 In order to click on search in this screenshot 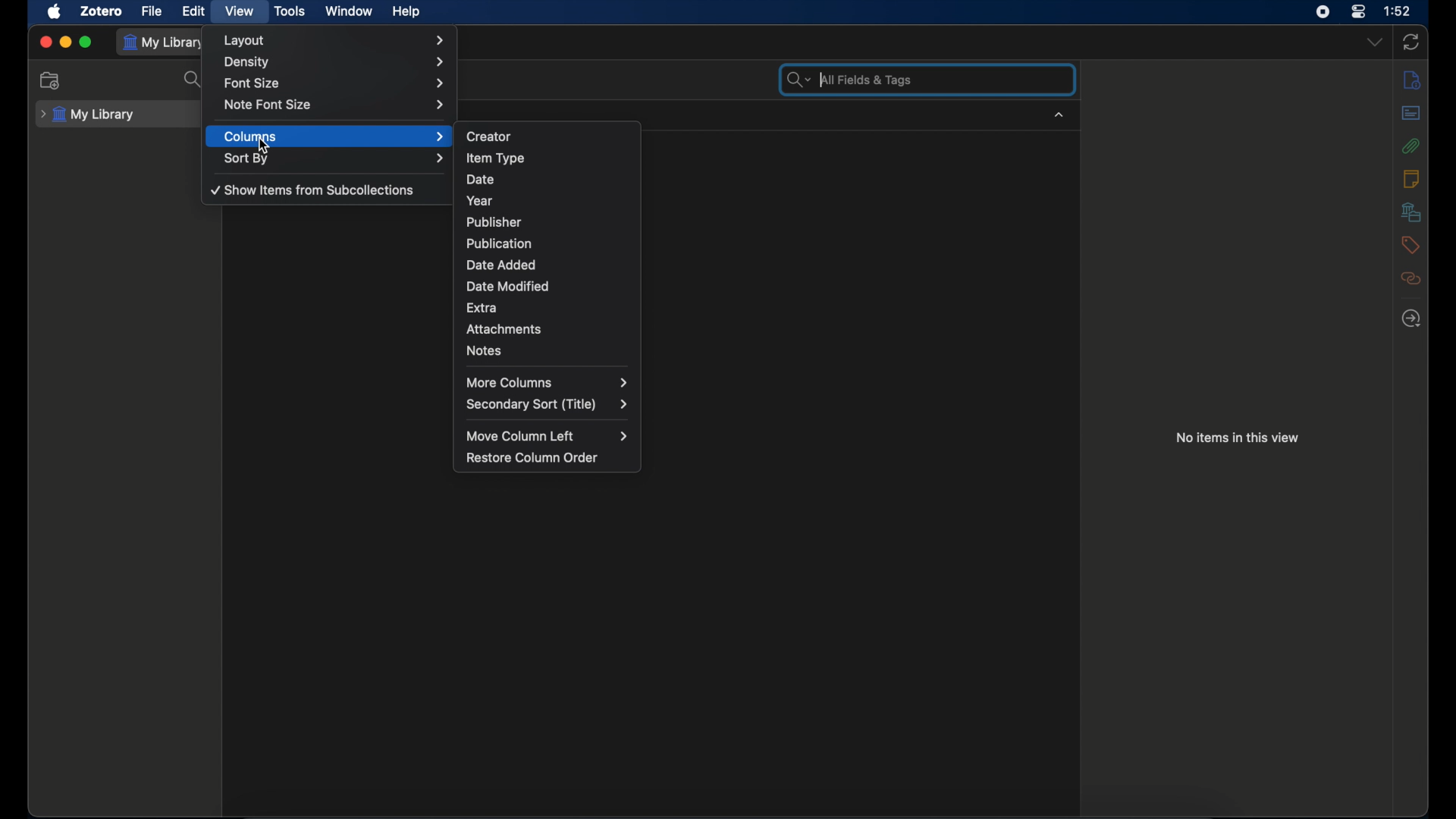, I will do `click(193, 80)`.